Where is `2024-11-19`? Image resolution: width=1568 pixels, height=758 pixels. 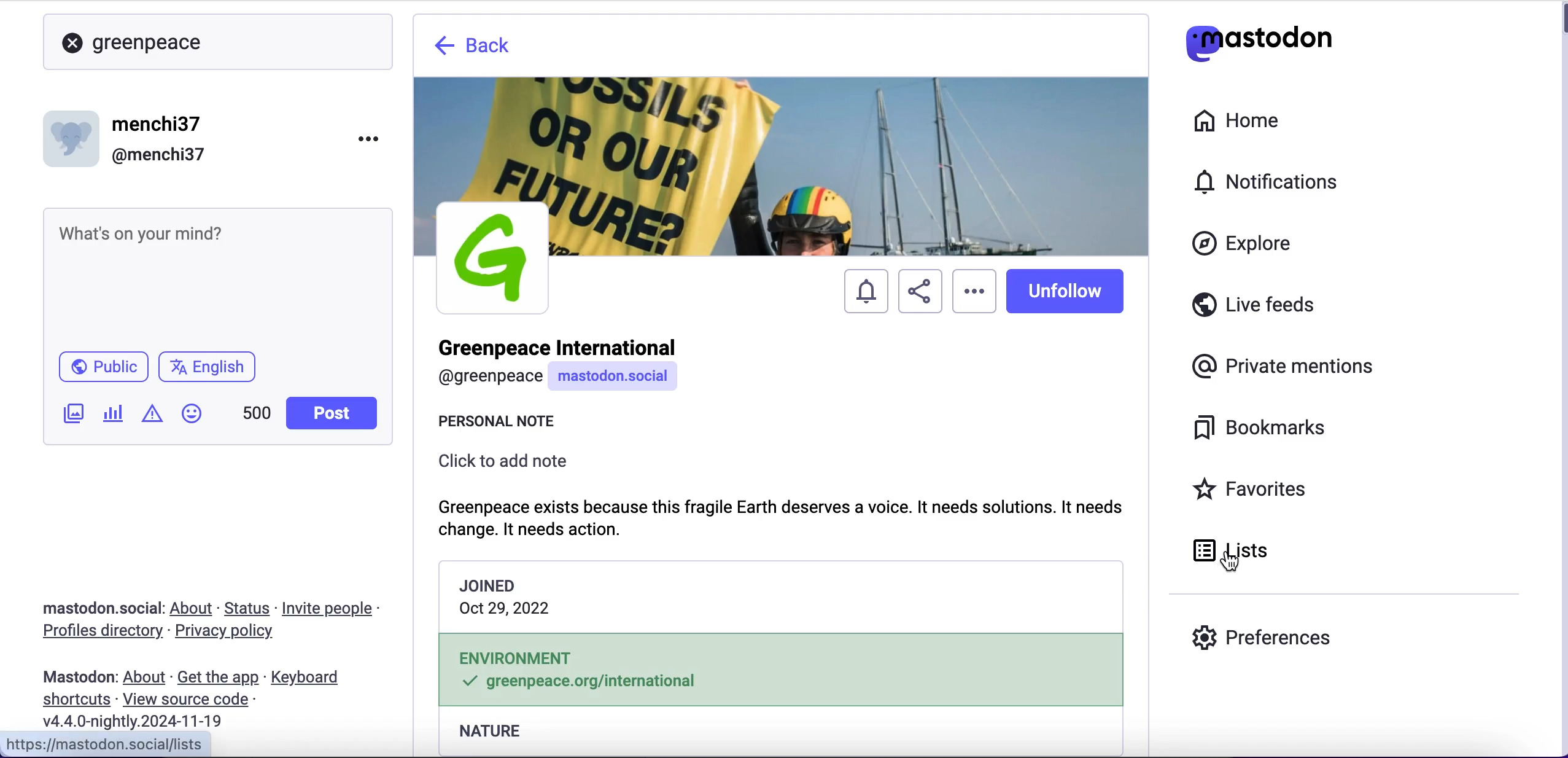
2024-11-19 is located at coordinates (142, 721).